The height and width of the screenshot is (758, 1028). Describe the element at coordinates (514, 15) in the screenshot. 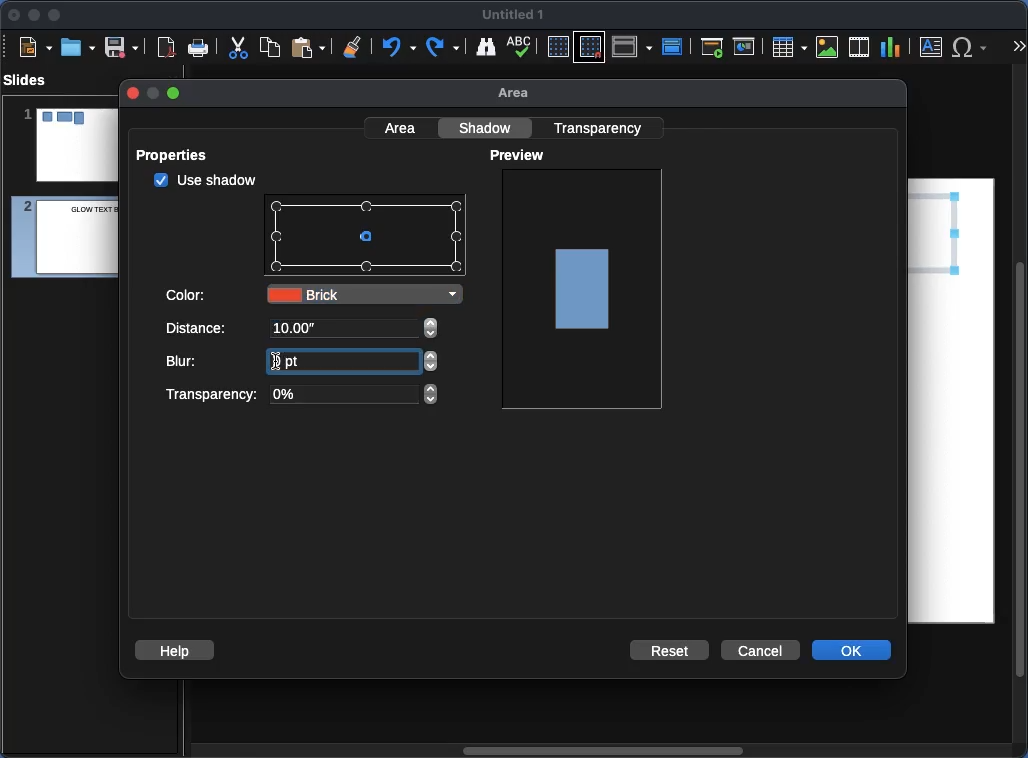

I see `Name` at that location.